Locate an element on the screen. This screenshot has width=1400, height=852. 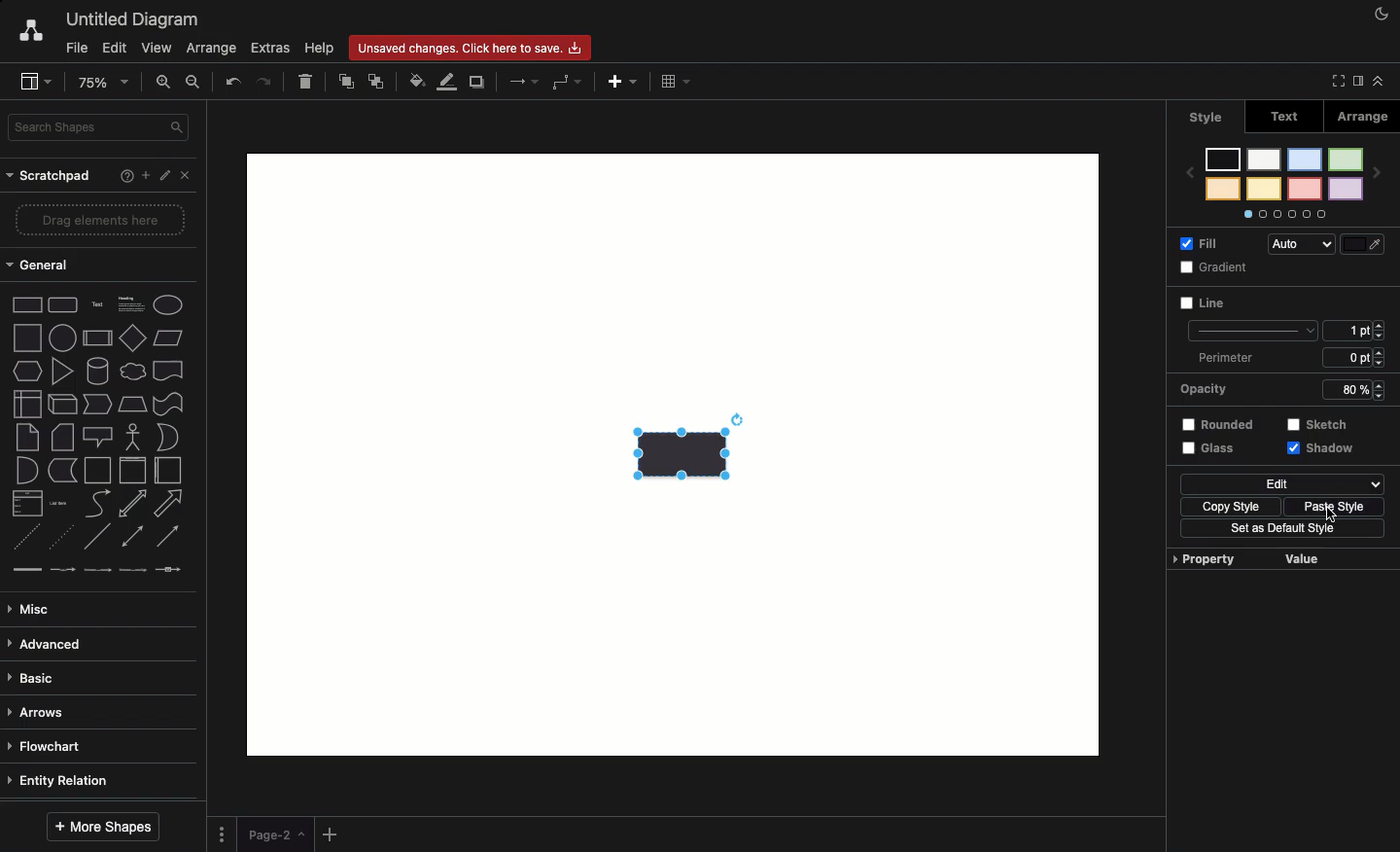
Unsaved is located at coordinates (471, 50).